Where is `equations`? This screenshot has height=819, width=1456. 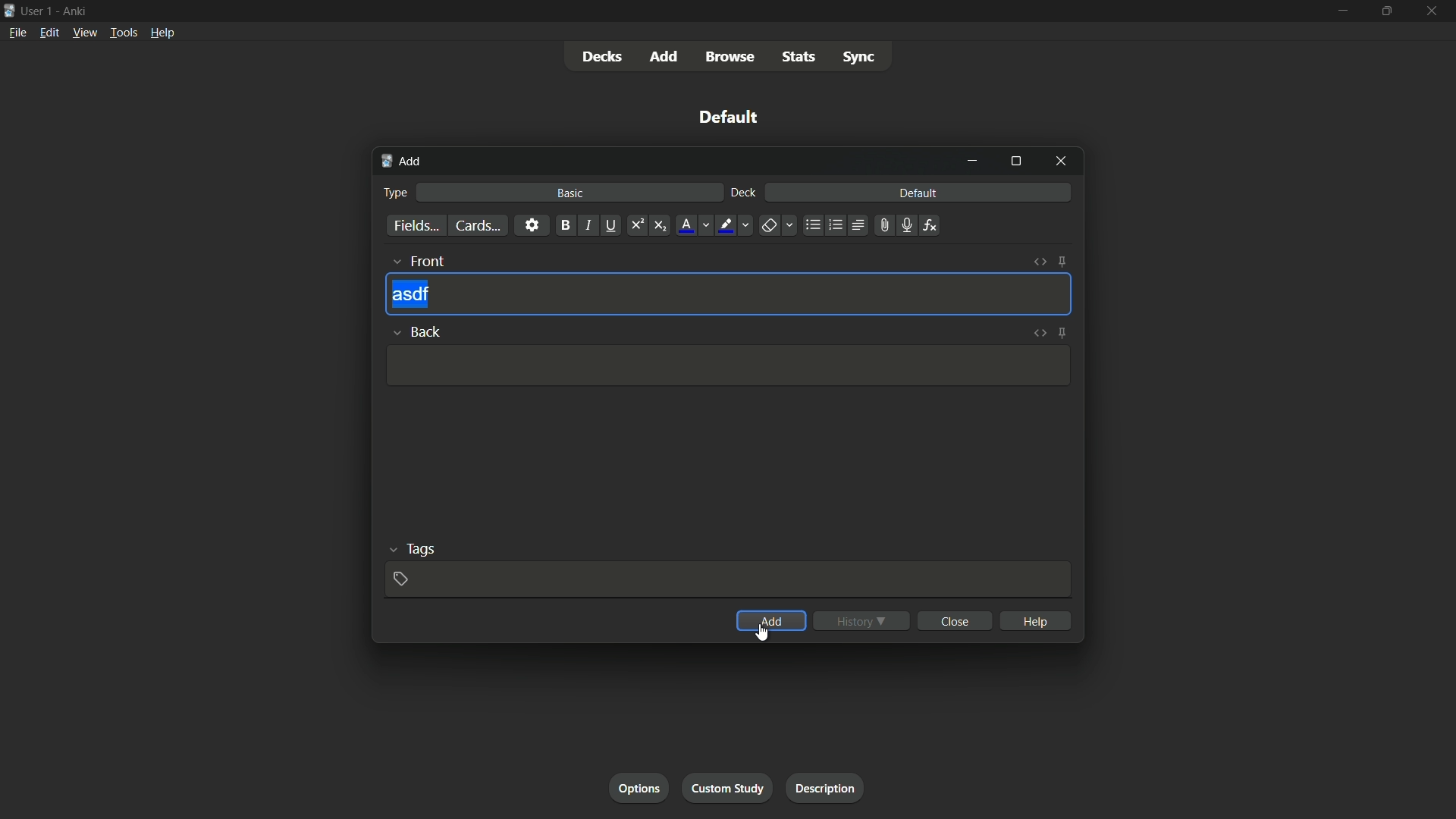 equations is located at coordinates (932, 225).